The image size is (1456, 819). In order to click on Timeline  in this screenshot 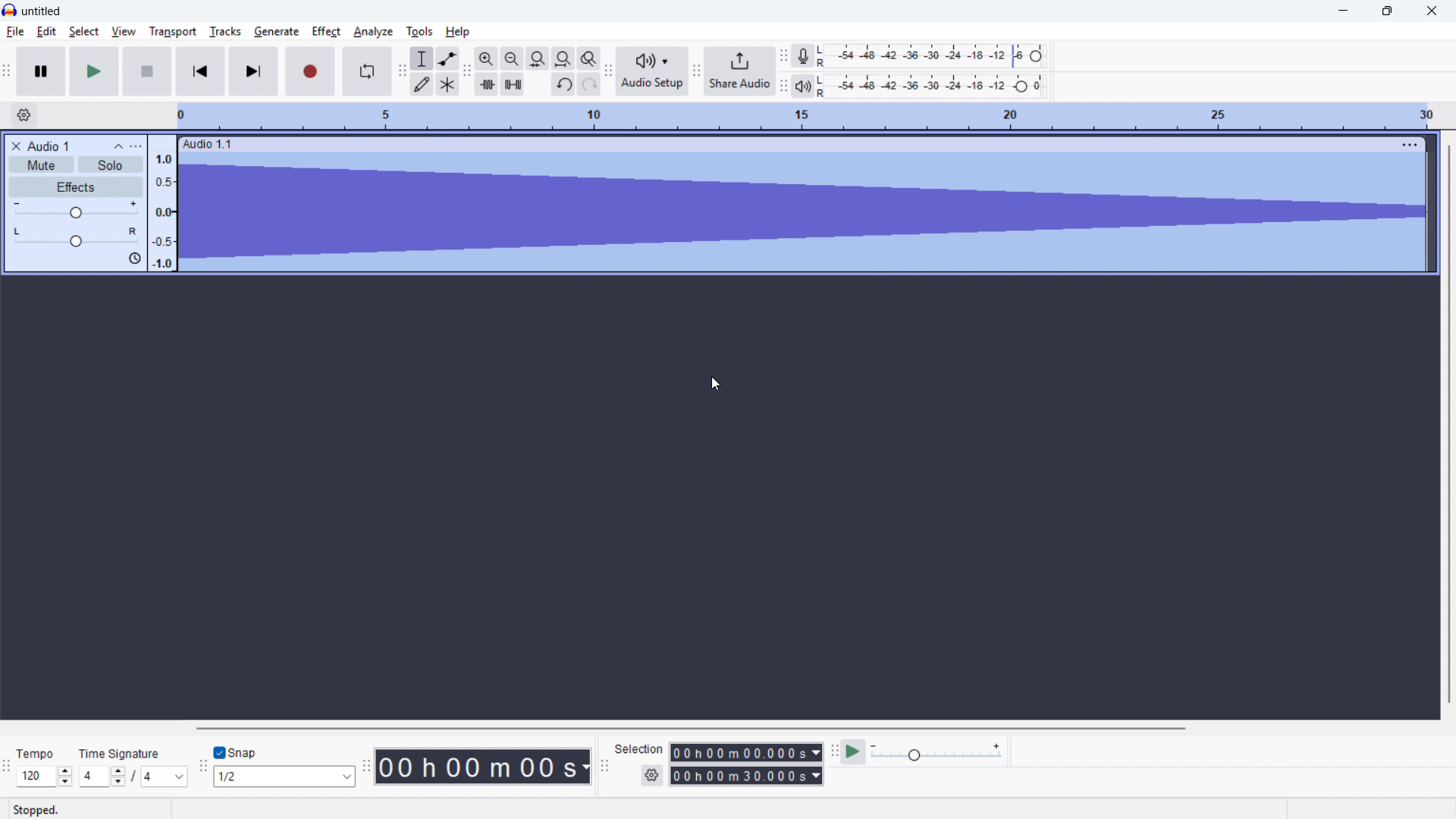, I will do `click(810, 116)`.